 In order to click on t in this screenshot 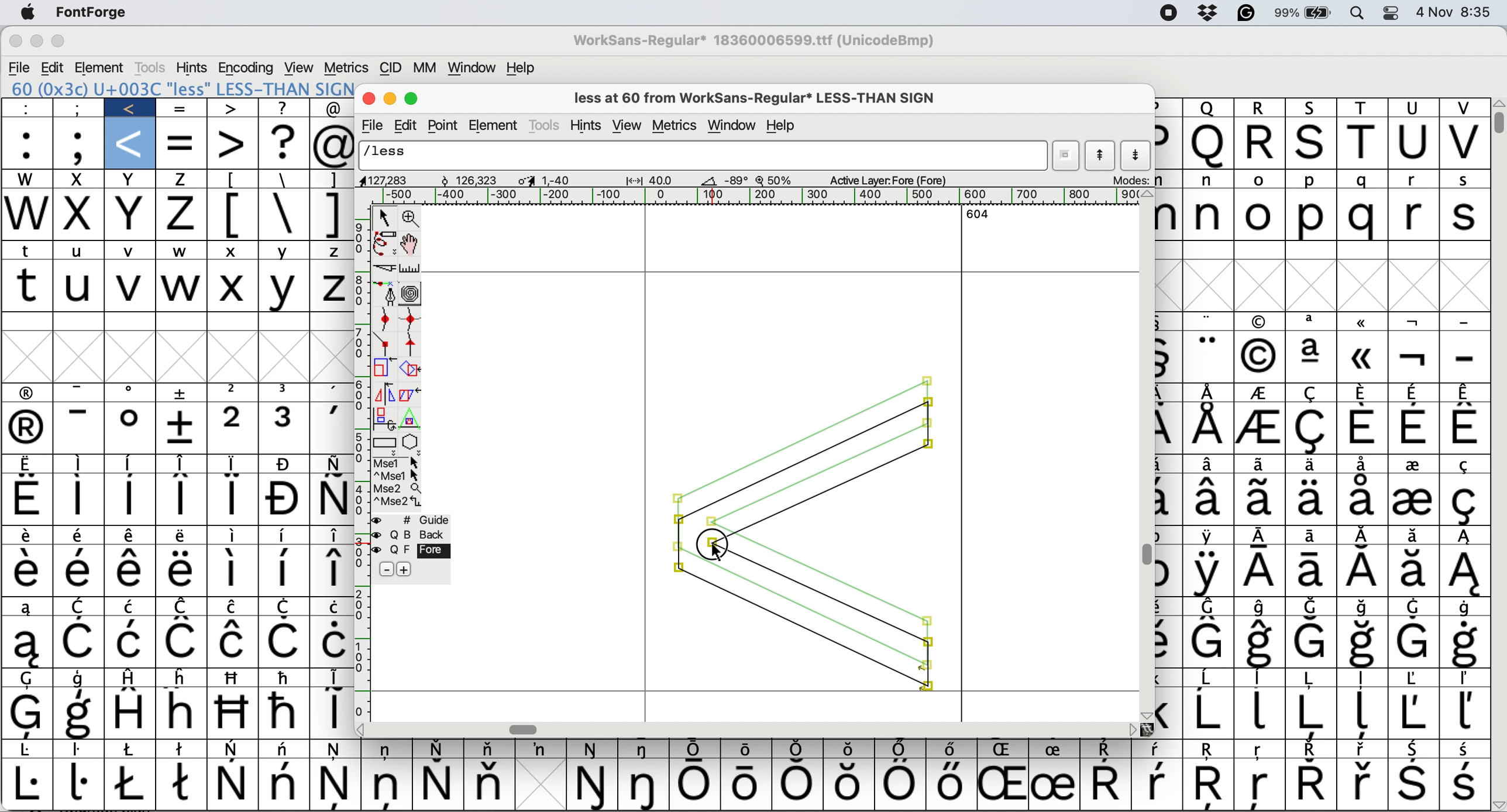, I will do `click(32, 252)`.